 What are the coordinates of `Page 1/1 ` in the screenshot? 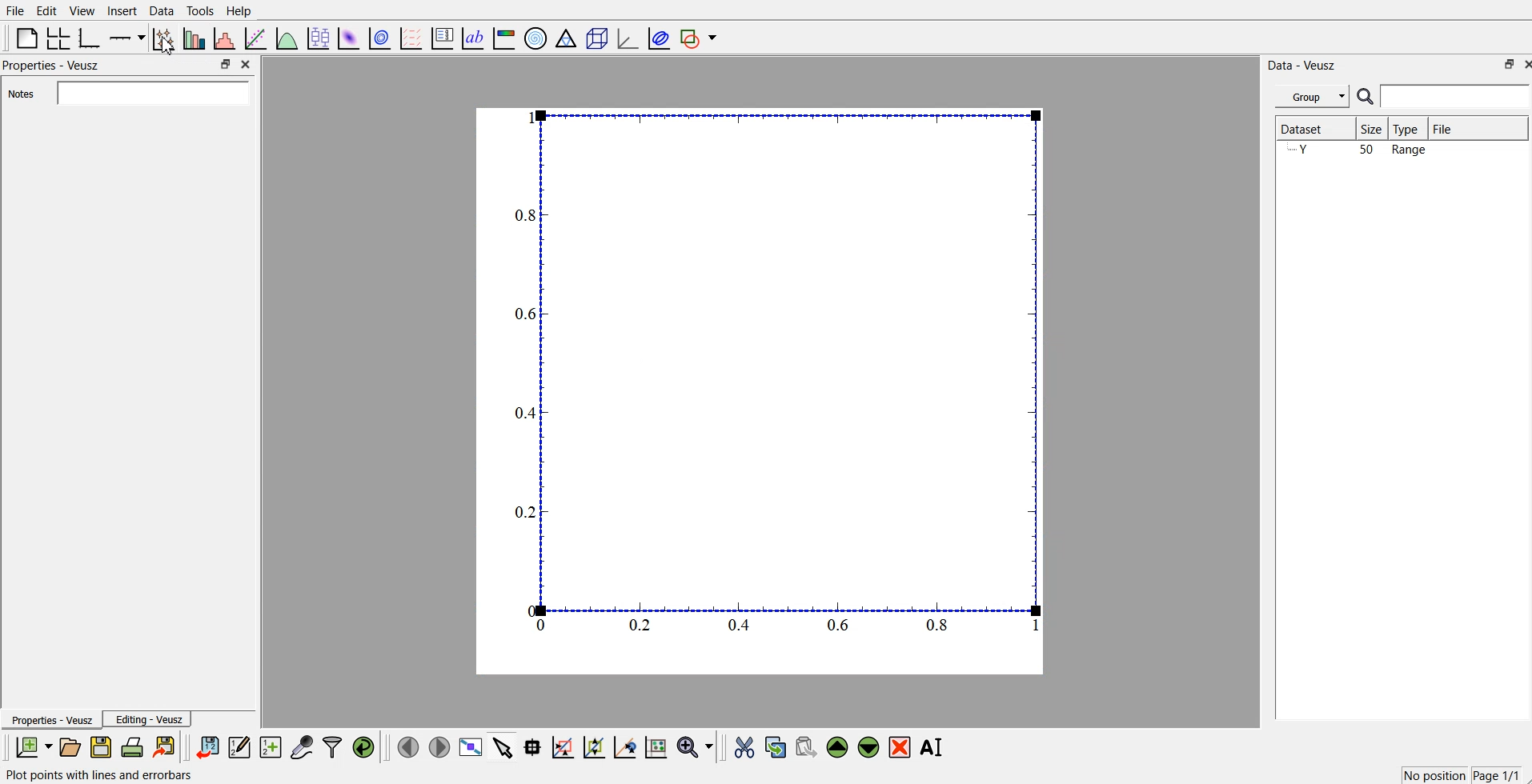 It's located at (1496, 774).